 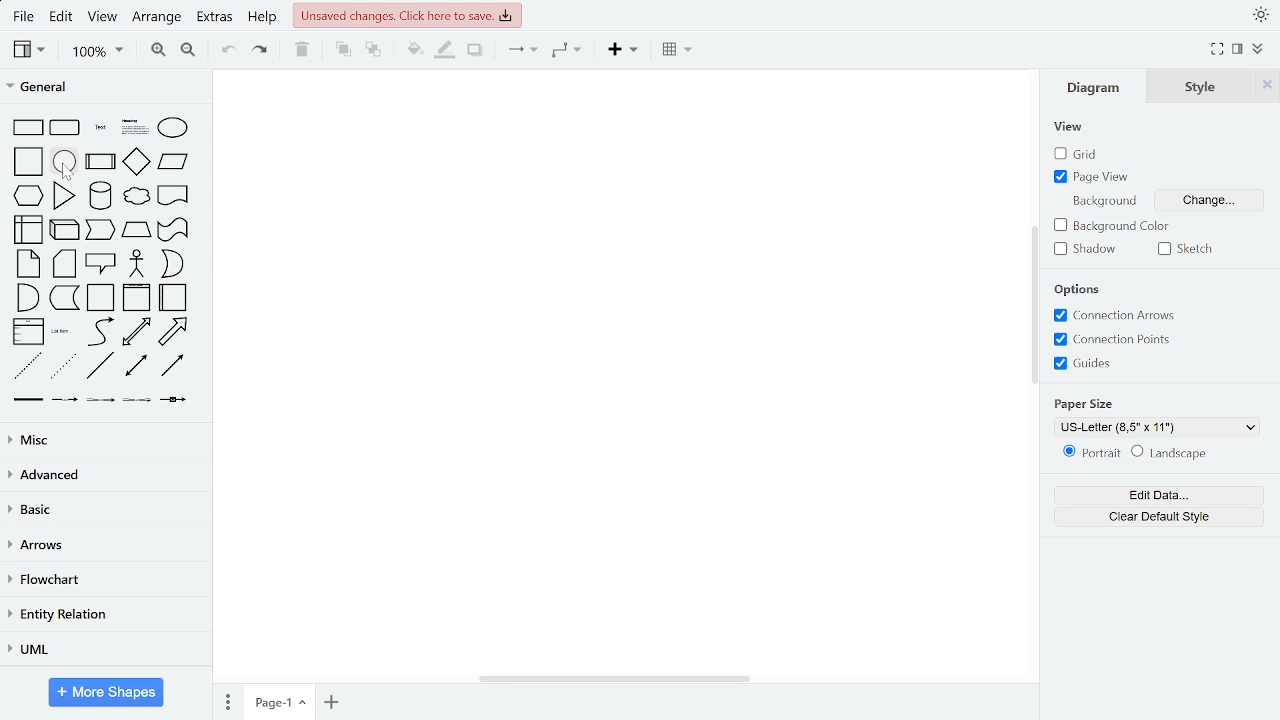 What do you see at coordinates (1257, 50) in the screenshot?
I see `collapse` at bounding box center [1257, 50].